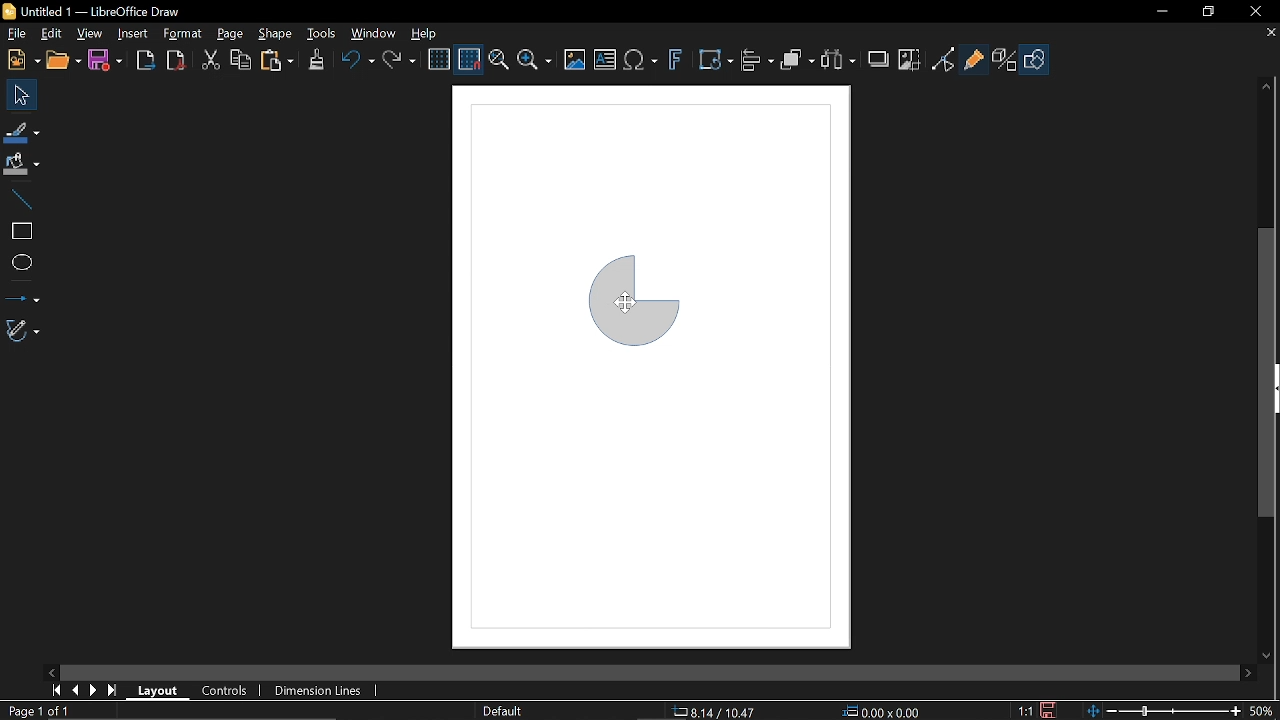  I want to click on Curves and polygons, so click(25, 331).